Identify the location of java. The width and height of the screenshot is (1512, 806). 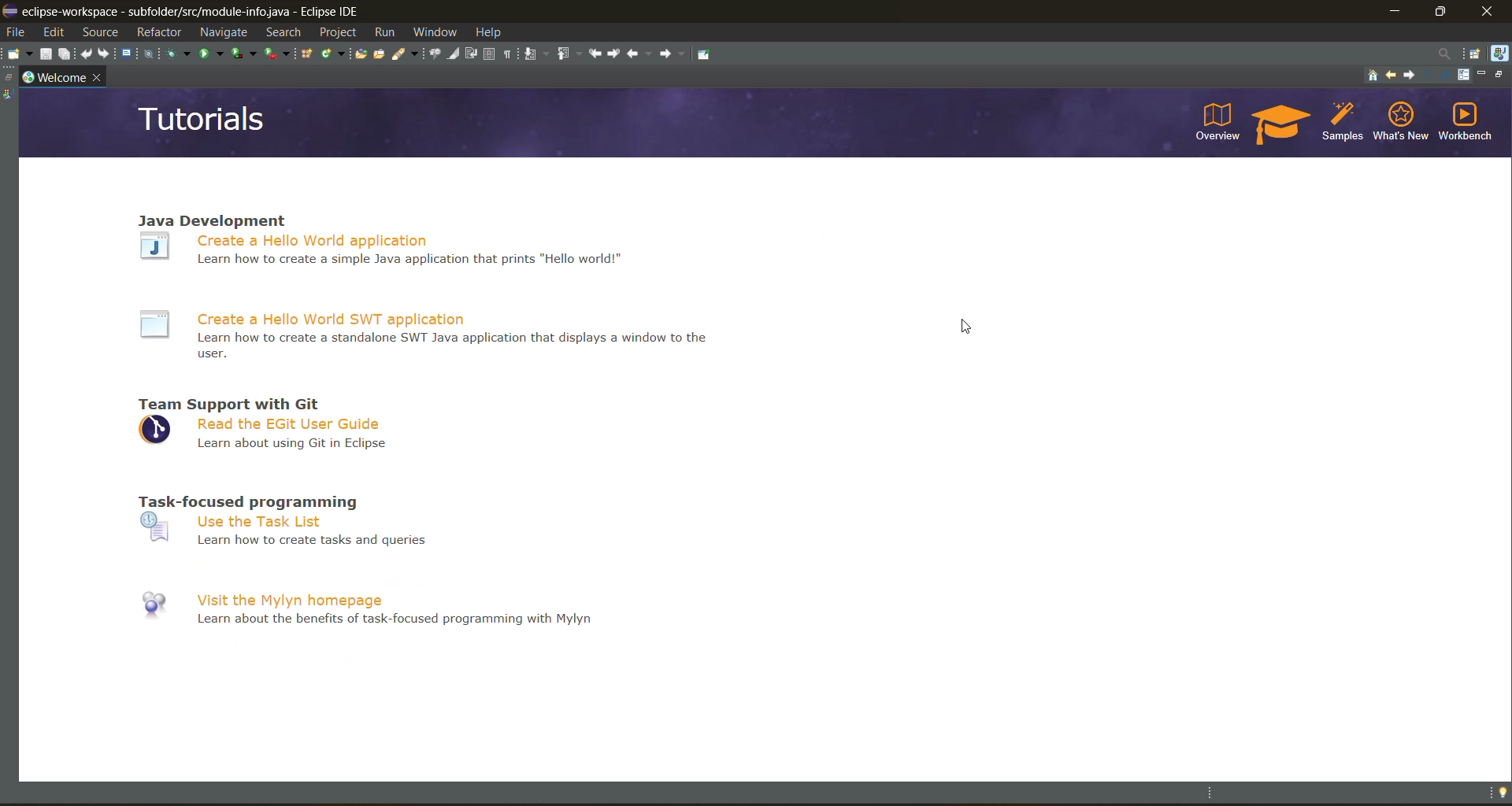
(9, 94).